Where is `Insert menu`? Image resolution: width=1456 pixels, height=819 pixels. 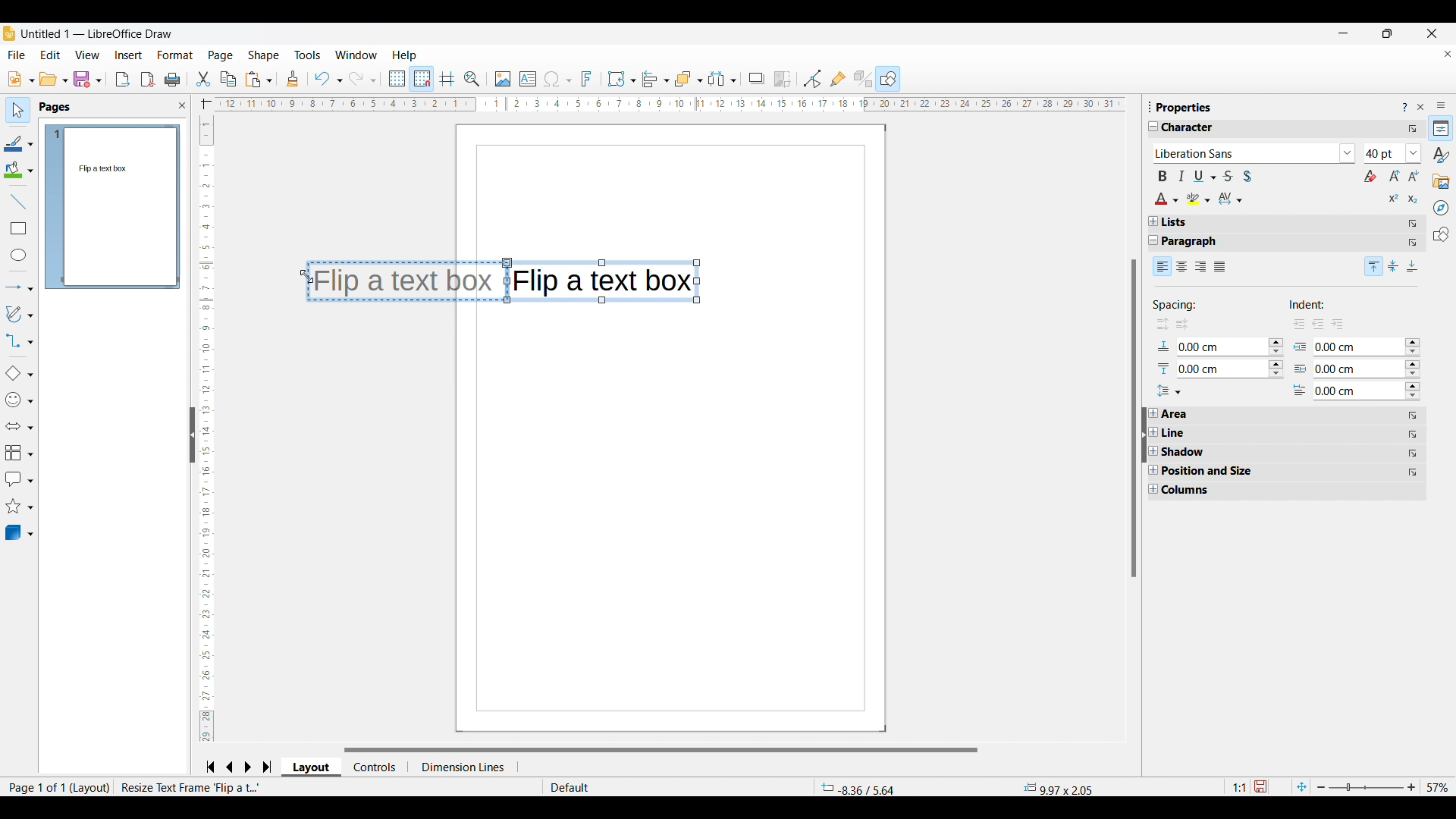
Insert menu is located at coordinates (129, 55).